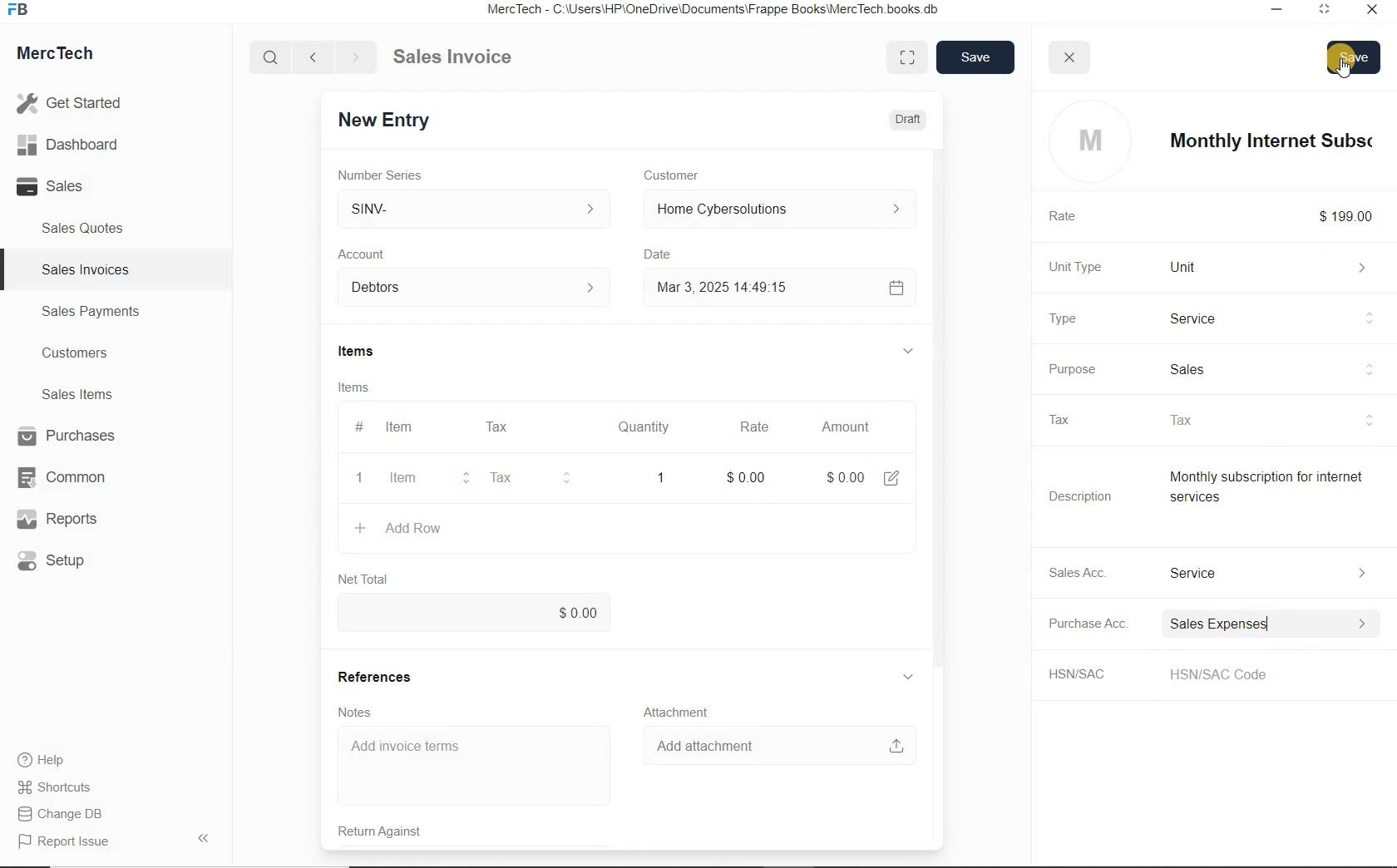  I want to click on Dashboard, so click(76, 145).